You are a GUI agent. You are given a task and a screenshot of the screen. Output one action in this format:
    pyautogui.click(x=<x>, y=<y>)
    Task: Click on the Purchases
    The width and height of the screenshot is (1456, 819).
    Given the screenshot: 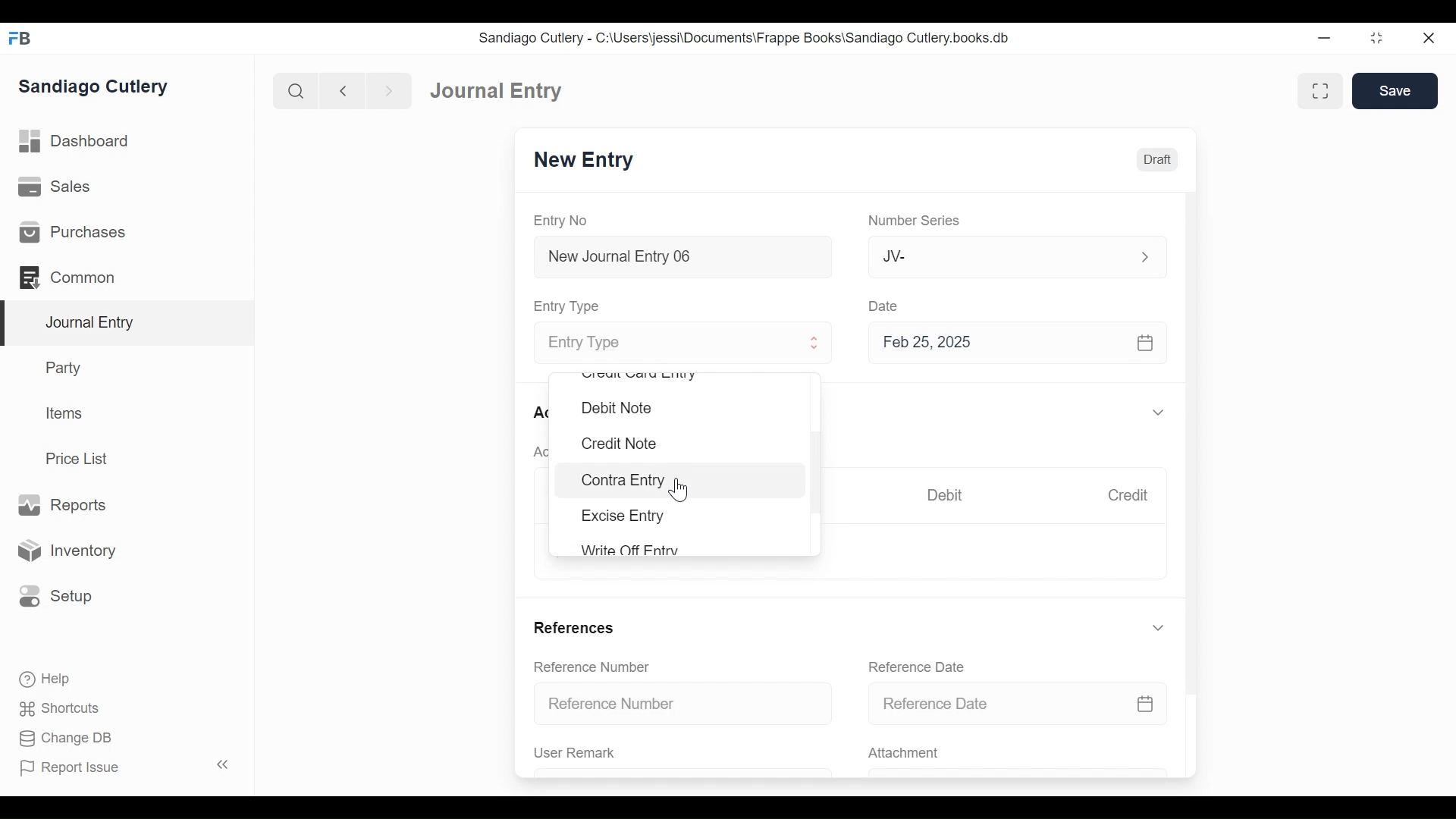 What is the action you would take?
    pyautogui.click(x=71, y=232)
    